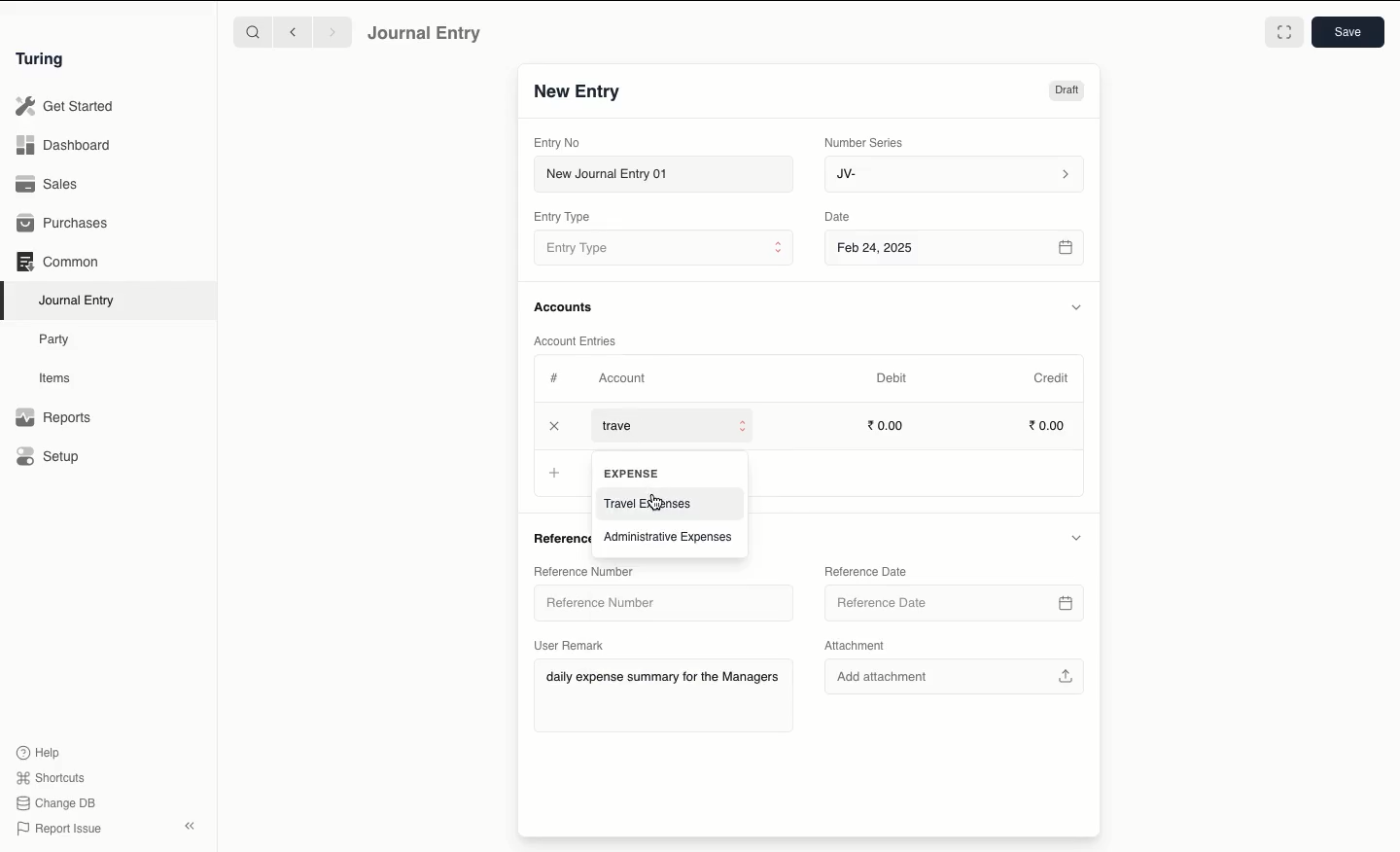  Describe the element at coordinates (864, 570) in the screenshot. I see `Reference Date` at that location.